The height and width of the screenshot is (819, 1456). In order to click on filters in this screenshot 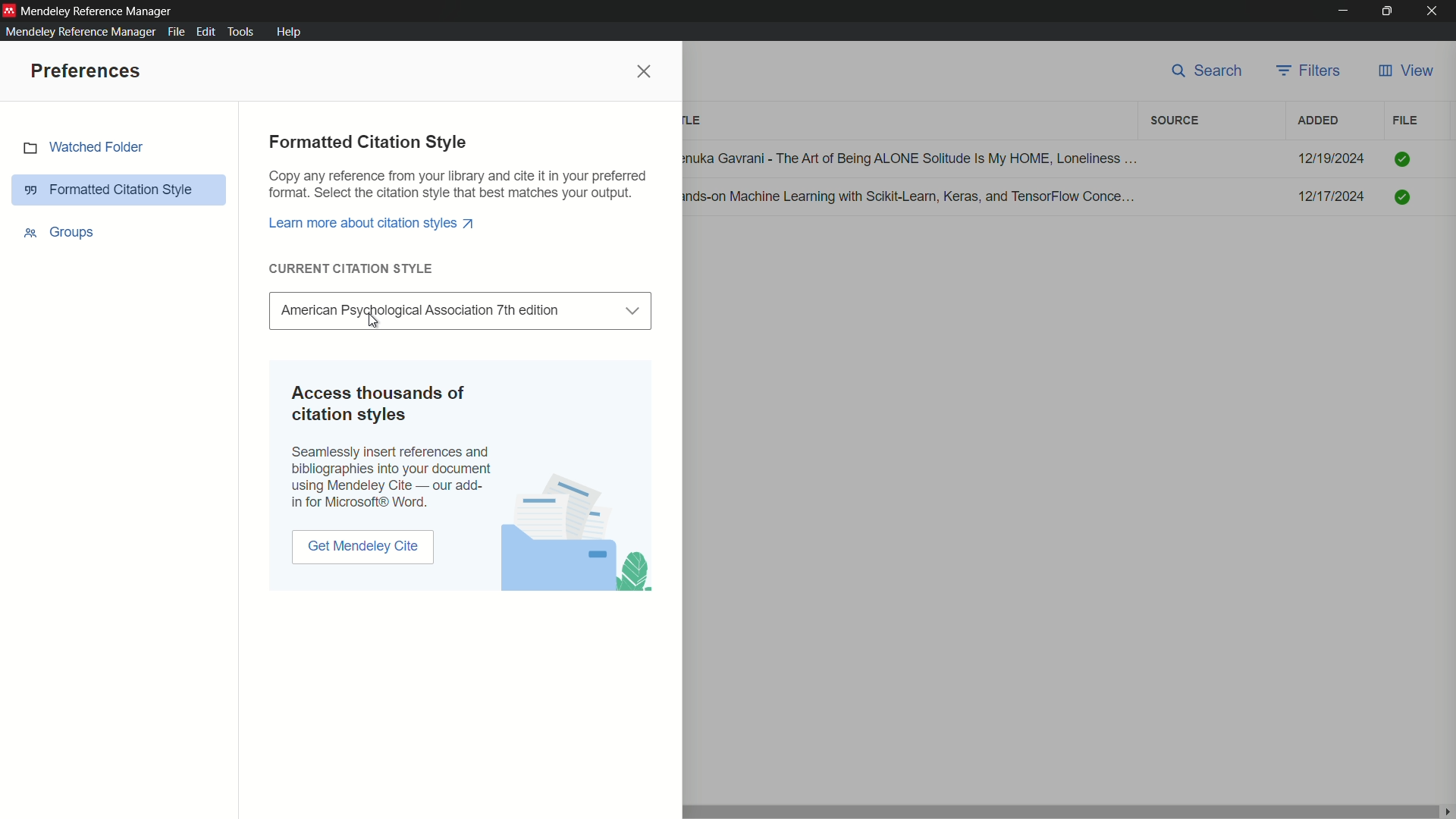, I will do `click(1311, 72)`.